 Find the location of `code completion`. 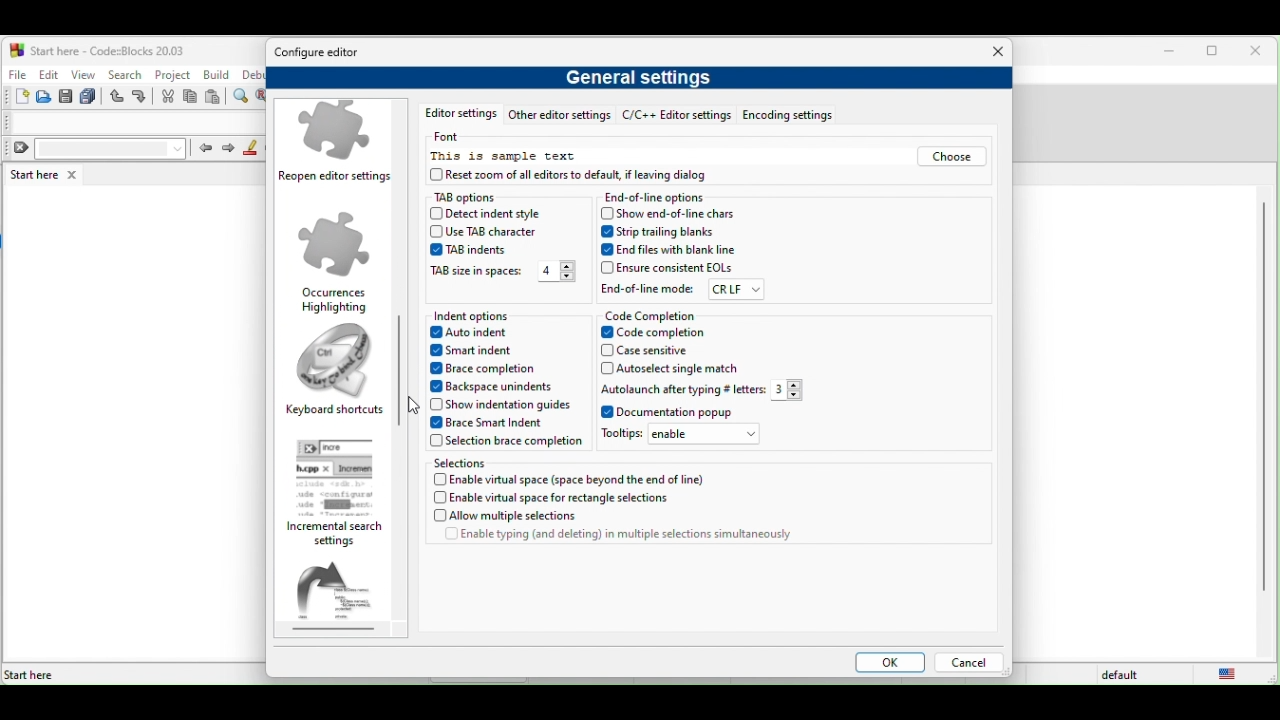

code completion is located at coordinates (670, 333).